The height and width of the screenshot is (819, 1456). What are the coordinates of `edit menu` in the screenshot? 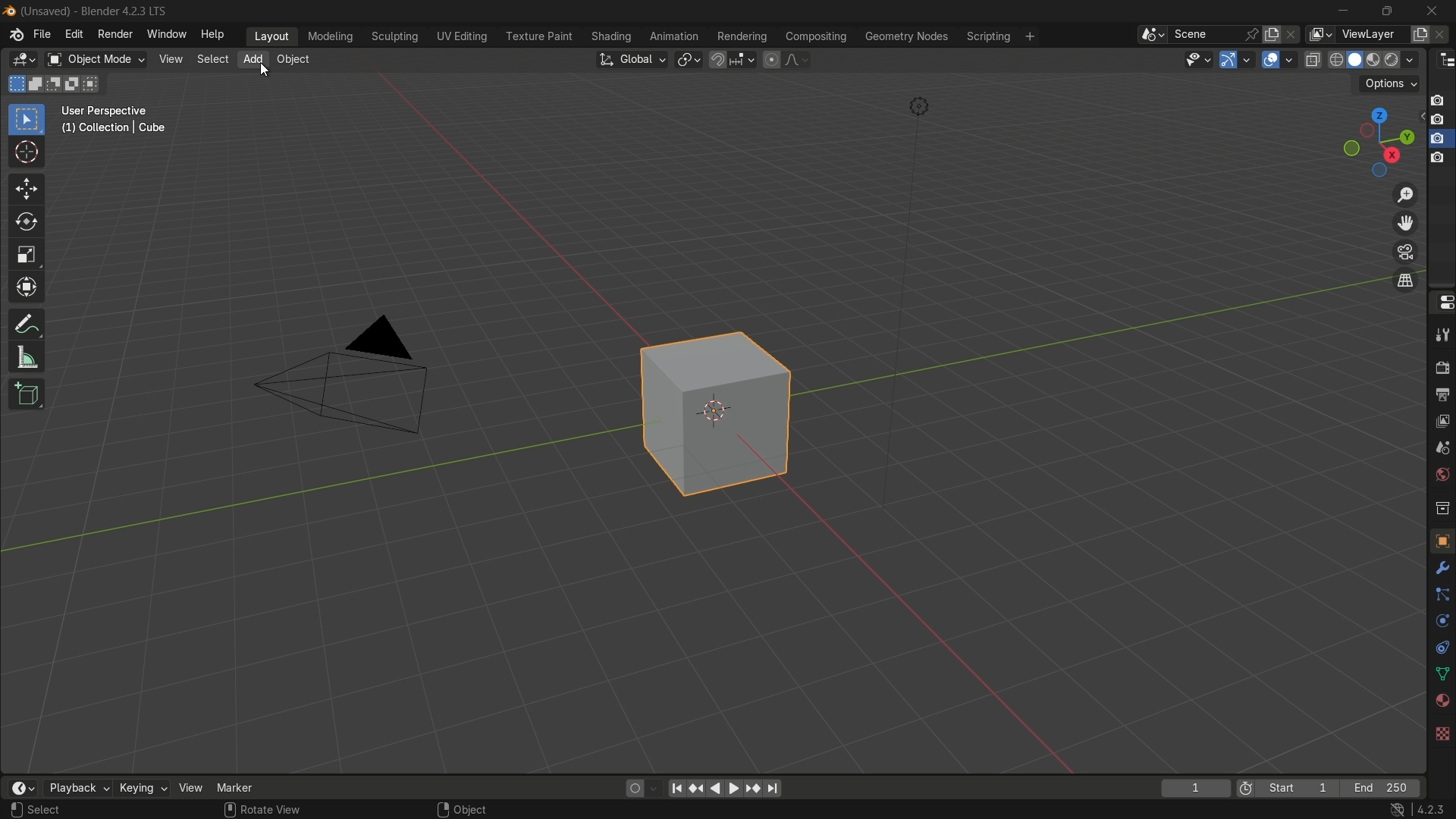 It's located at (73, 33).